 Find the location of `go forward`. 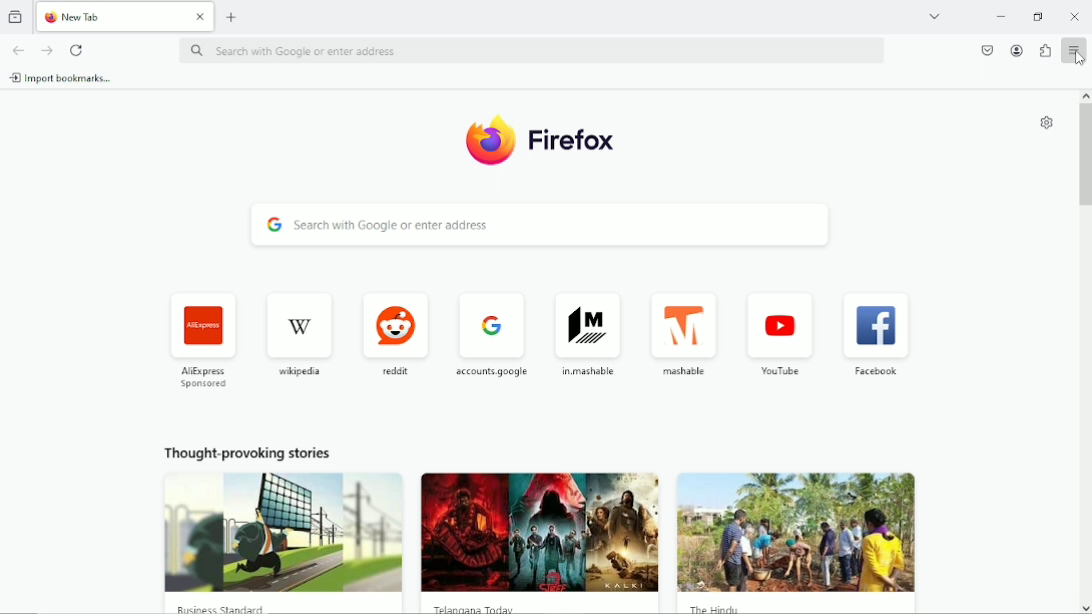

go forward is located at coordinates (45, 50).